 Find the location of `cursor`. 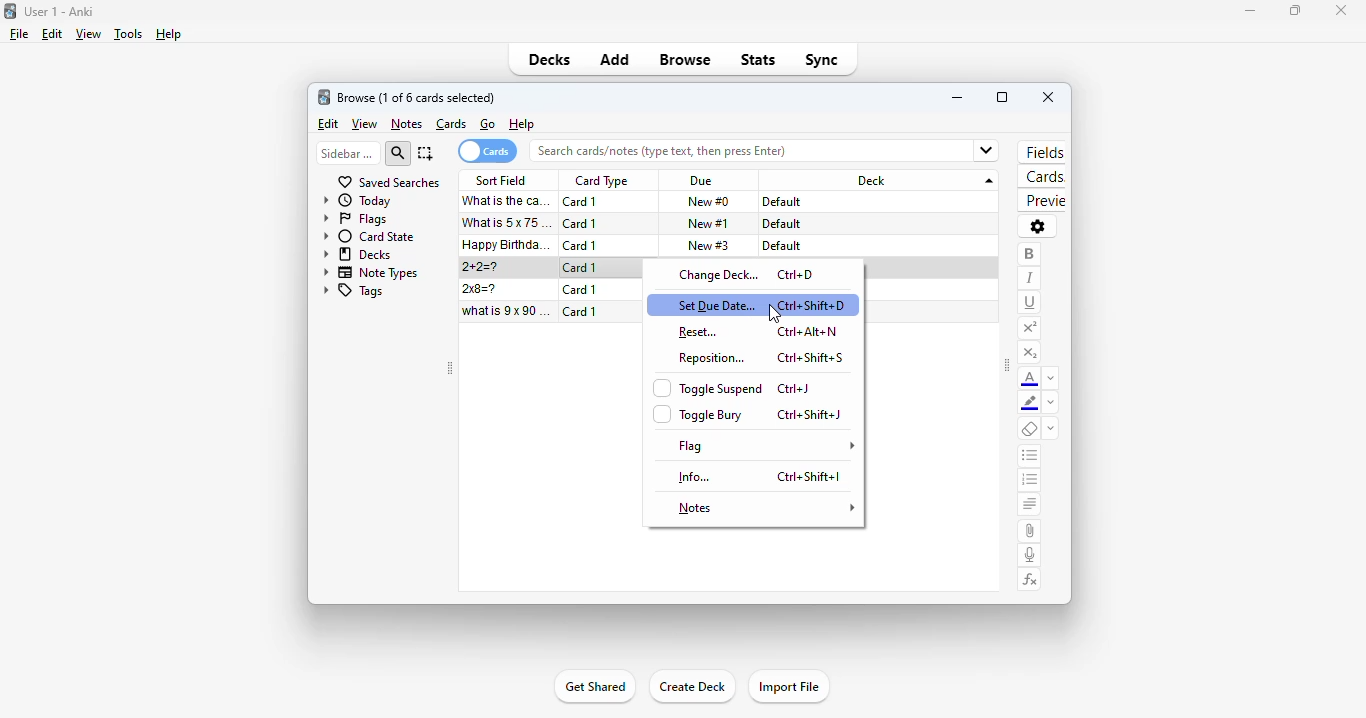

cursor is located at coordinates (773, 314).